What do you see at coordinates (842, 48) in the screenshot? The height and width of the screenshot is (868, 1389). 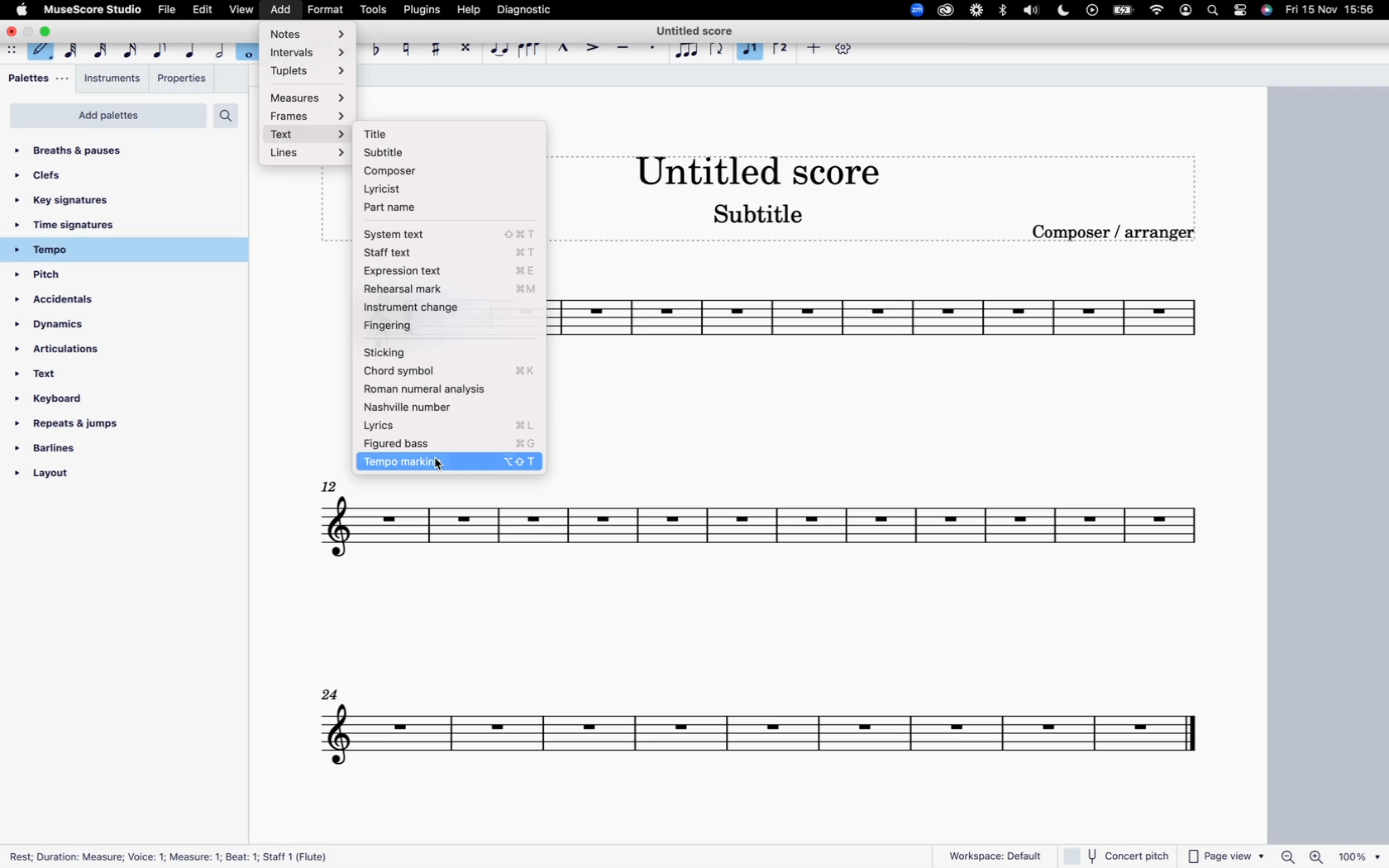 I see `settings` at bounding box center [842, 48].